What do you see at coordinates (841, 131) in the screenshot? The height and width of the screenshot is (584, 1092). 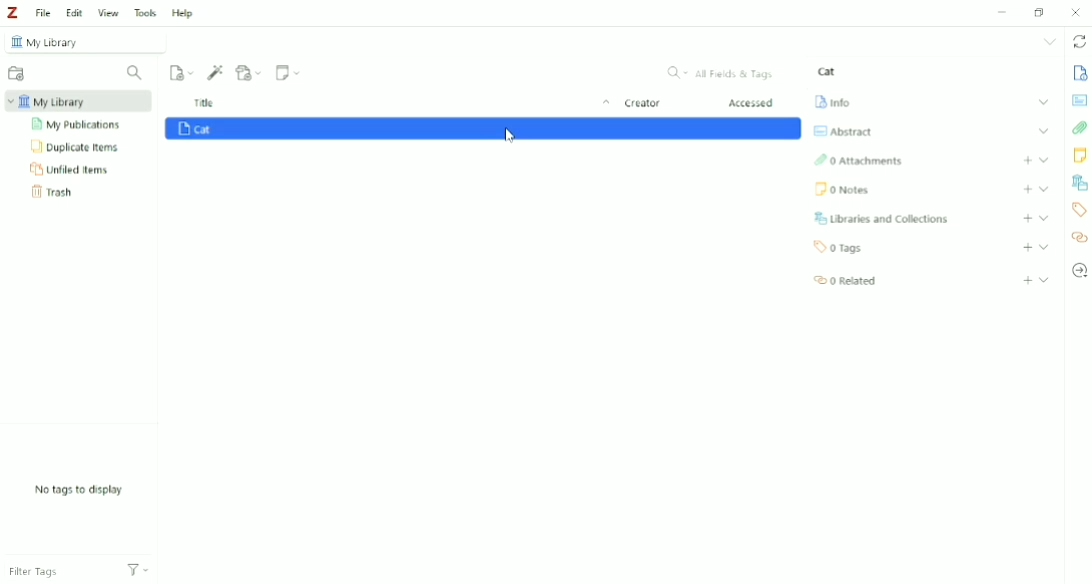 I see `Abstract` at bounding box center [841, 131].